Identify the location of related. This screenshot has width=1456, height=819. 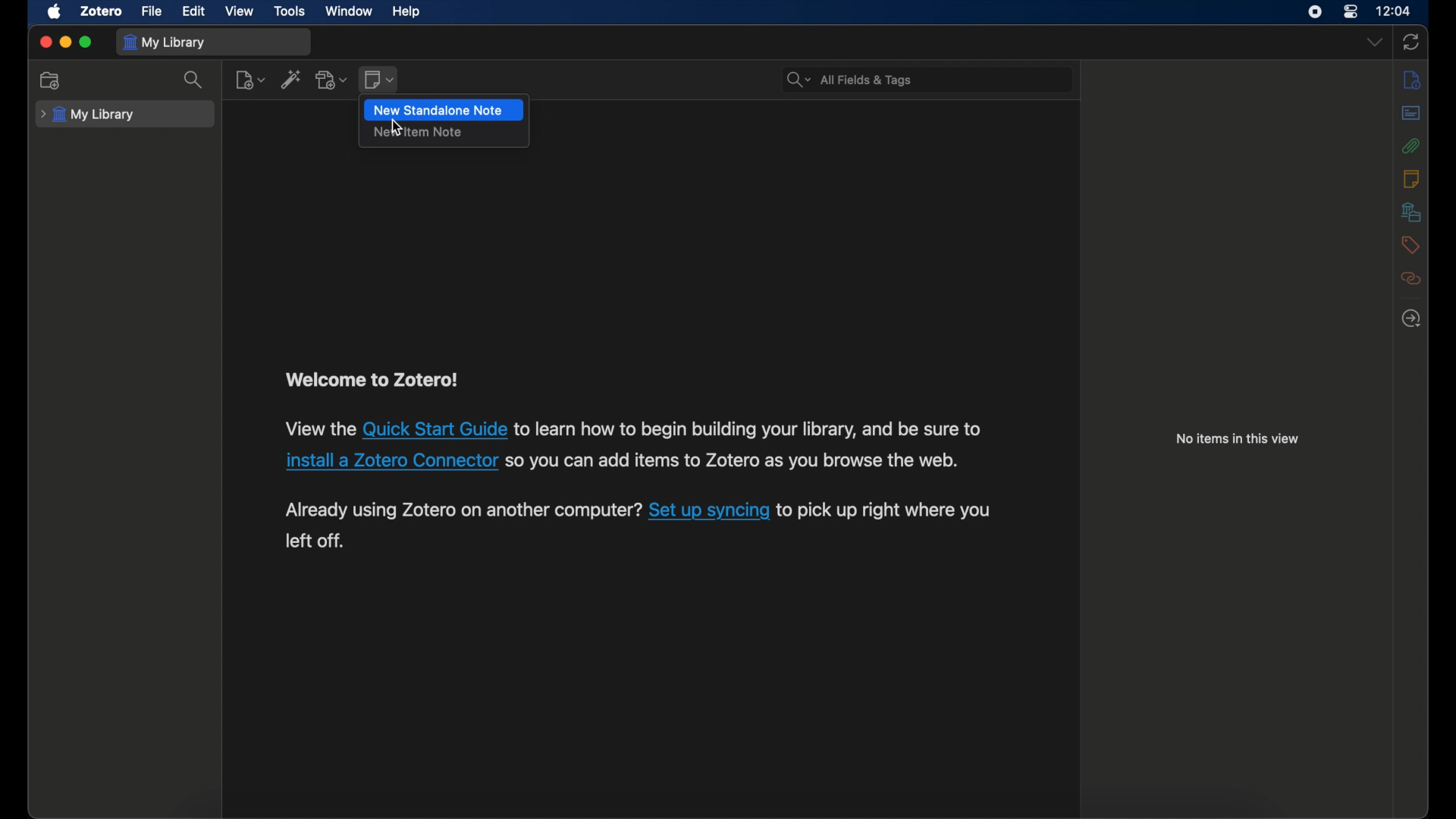
(1411, 278).